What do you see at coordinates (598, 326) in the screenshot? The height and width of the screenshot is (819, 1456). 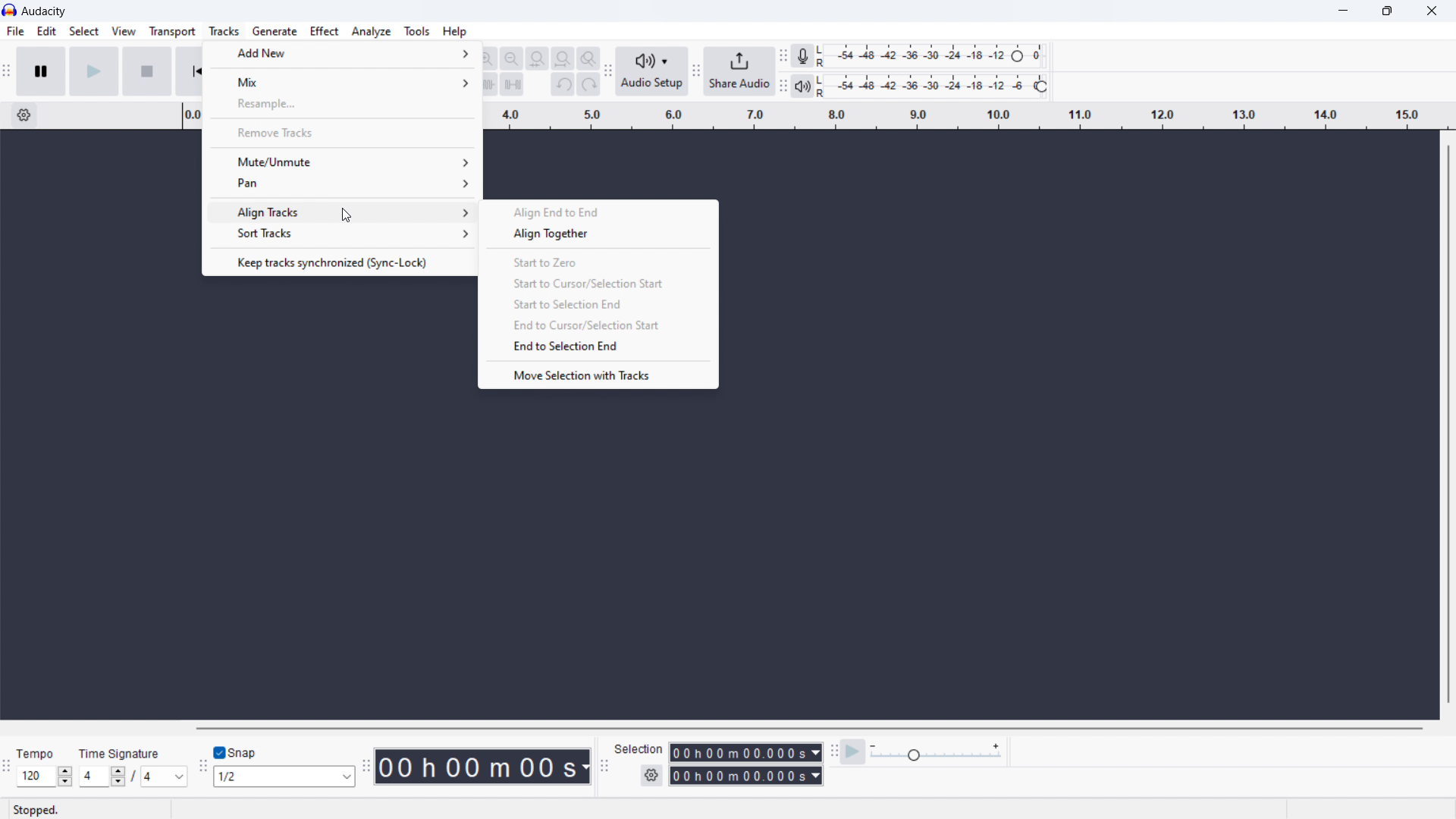 I see `end to cursor/selection start` at bounding box center [598, 326].